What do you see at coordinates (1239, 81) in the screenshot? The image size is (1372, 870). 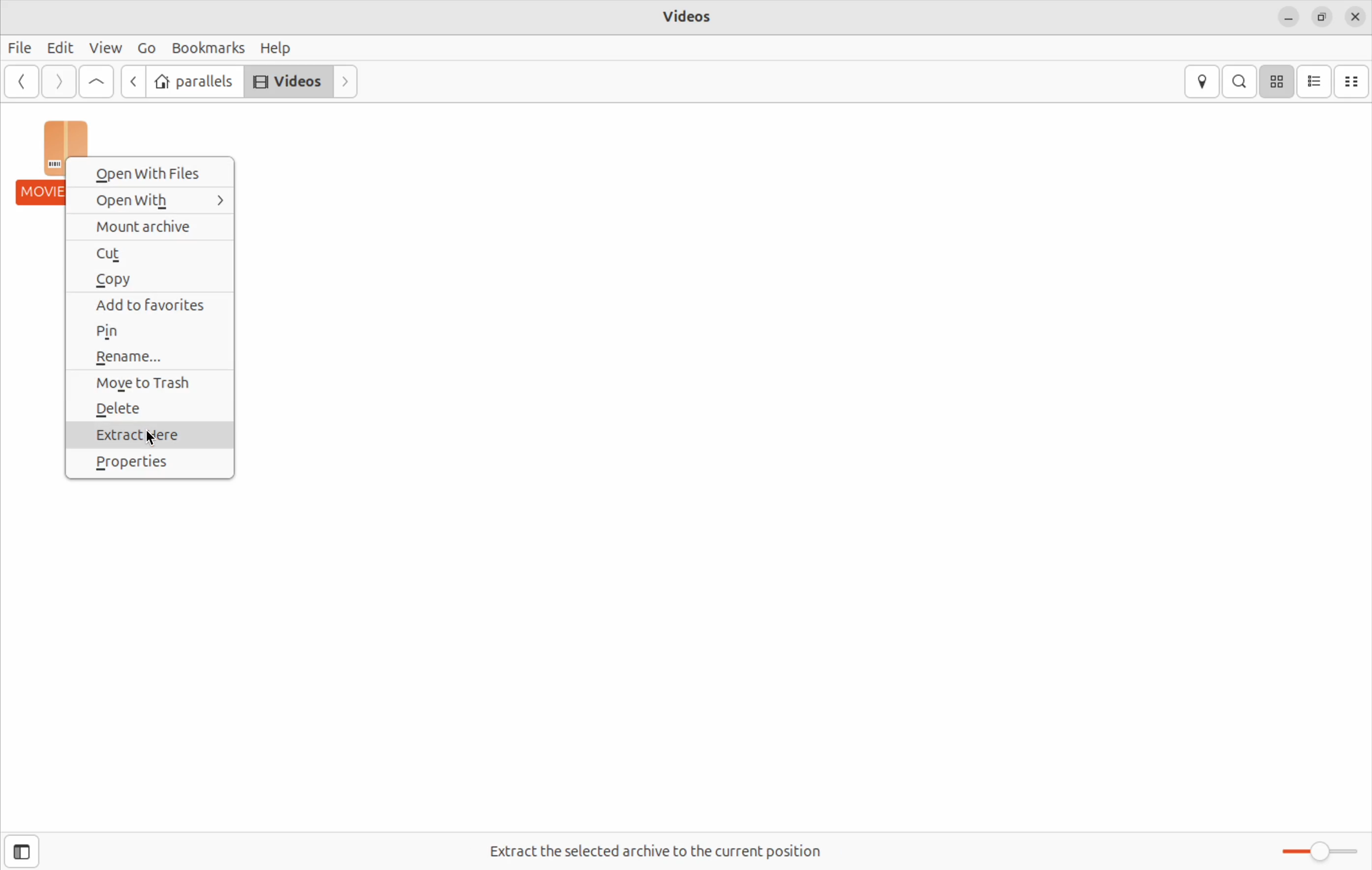 I see `search` at bounding box center [1239, 81].